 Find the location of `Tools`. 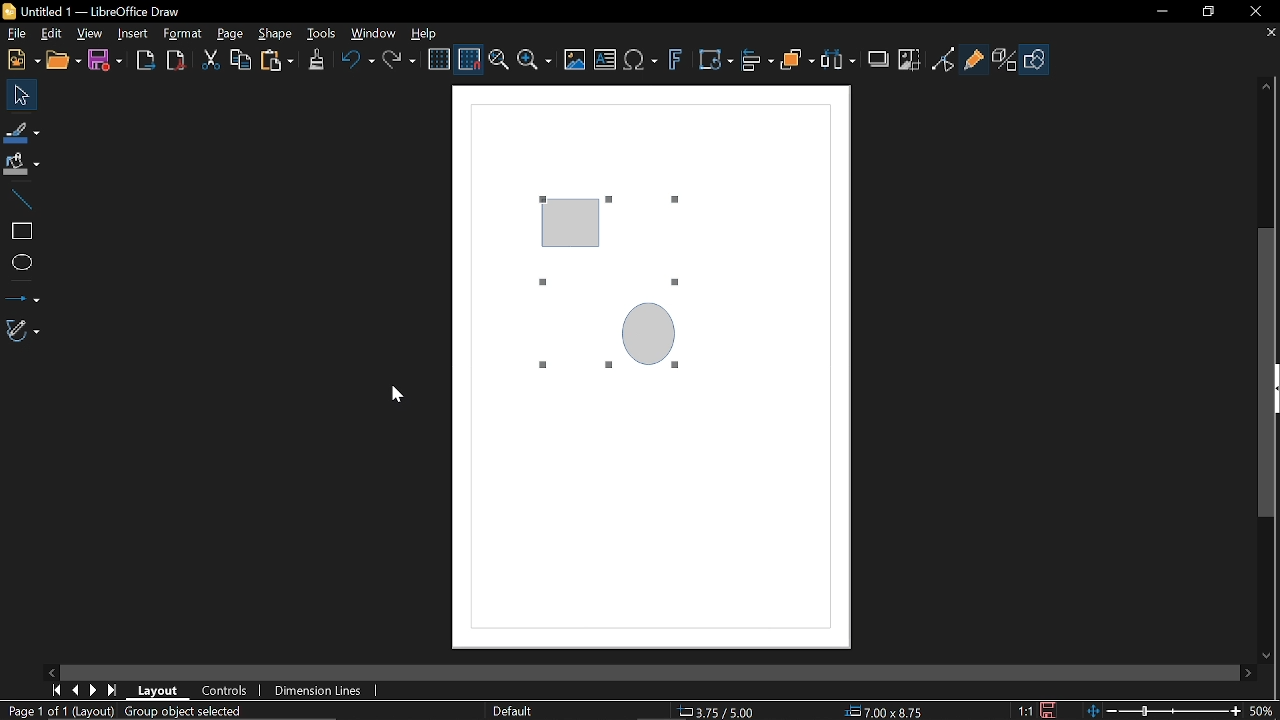

Tools is located at coordinates (322, 34).